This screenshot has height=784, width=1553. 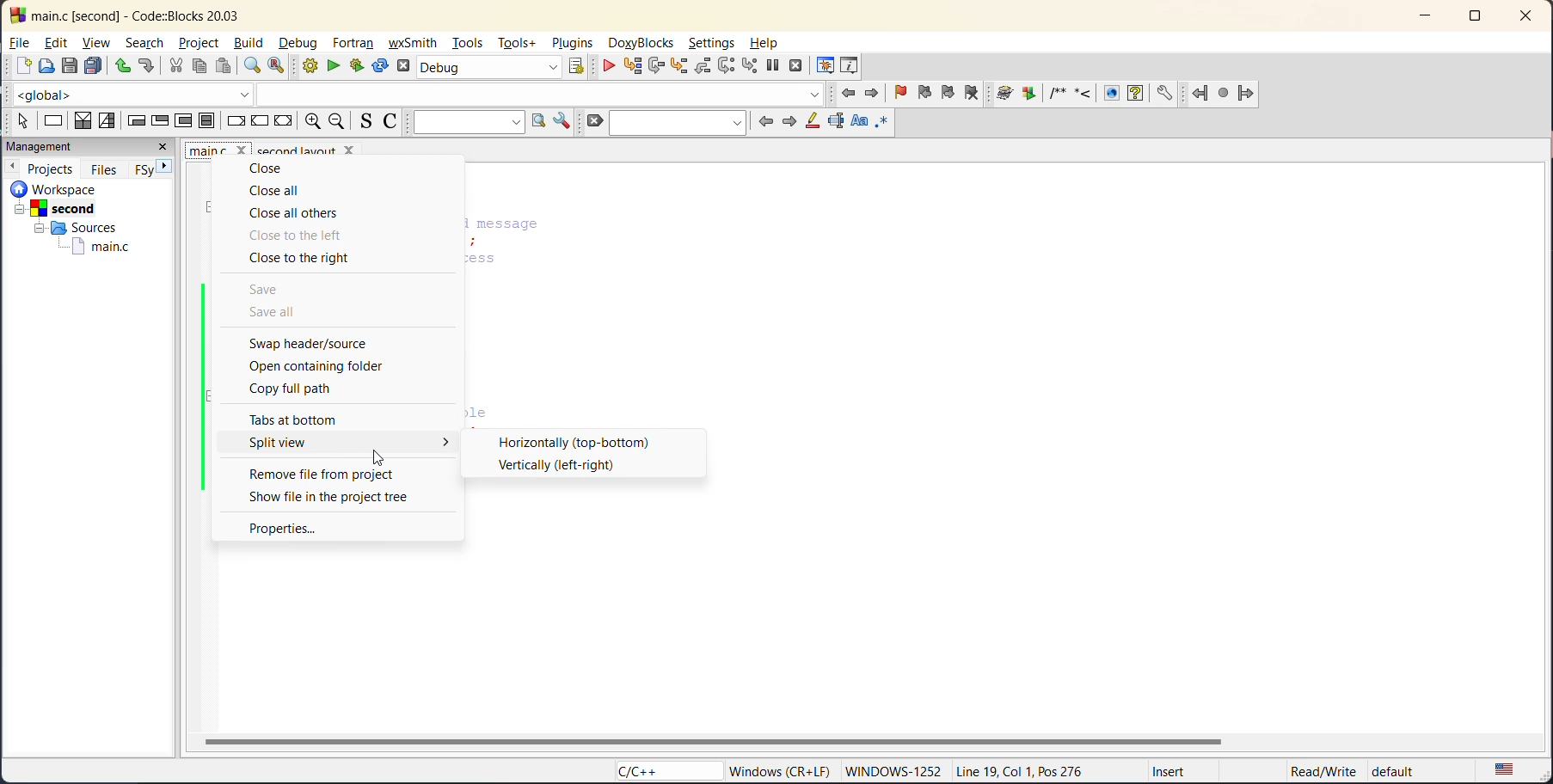 I want to click on help, so click(x=771, y=43).